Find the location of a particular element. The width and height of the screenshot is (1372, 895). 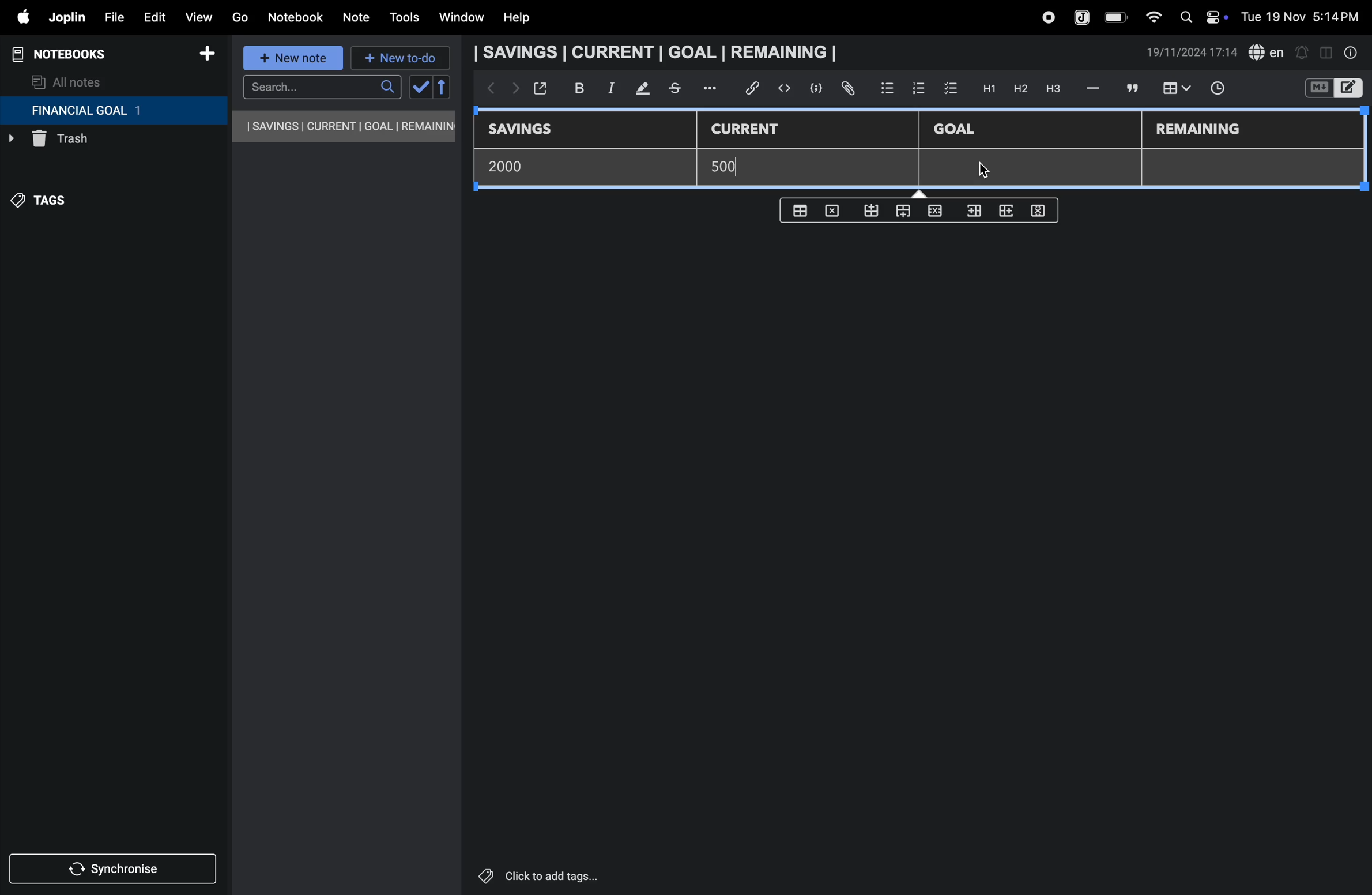

backward is located at coordinates (487, 89).